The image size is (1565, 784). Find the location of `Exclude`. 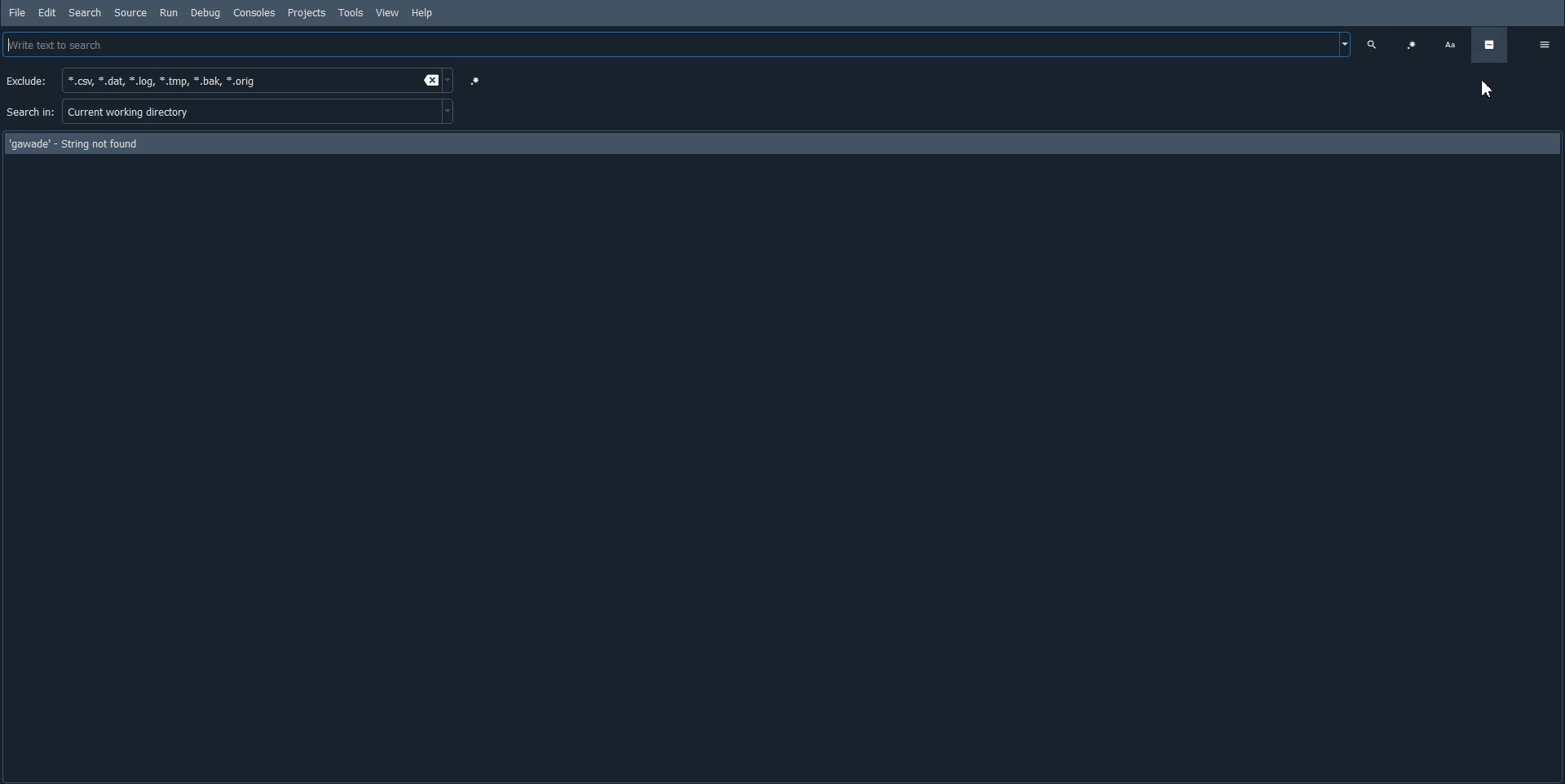

Exclude is located at coordinates (25, 80).